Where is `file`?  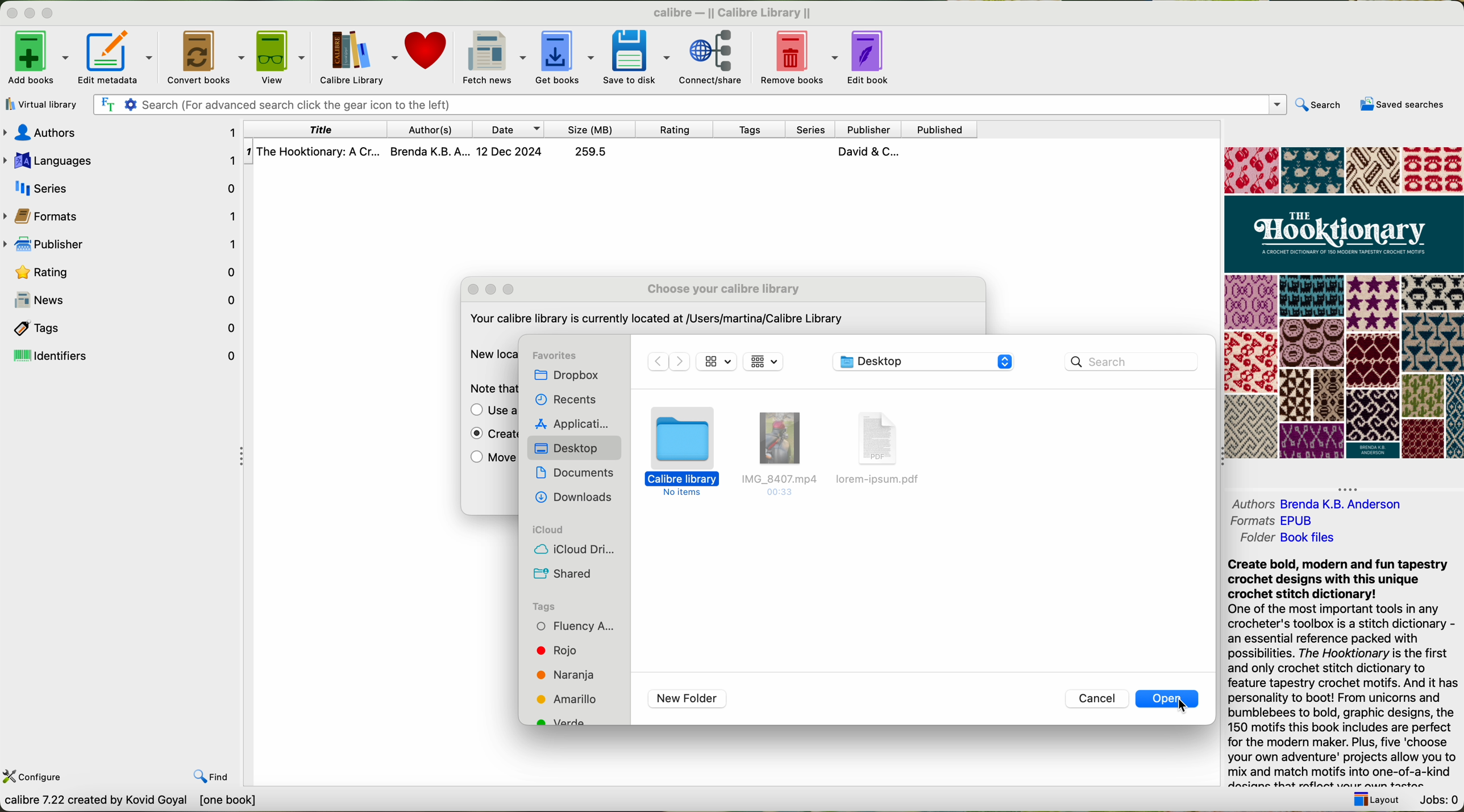
file is located at coordinates (780, 455).